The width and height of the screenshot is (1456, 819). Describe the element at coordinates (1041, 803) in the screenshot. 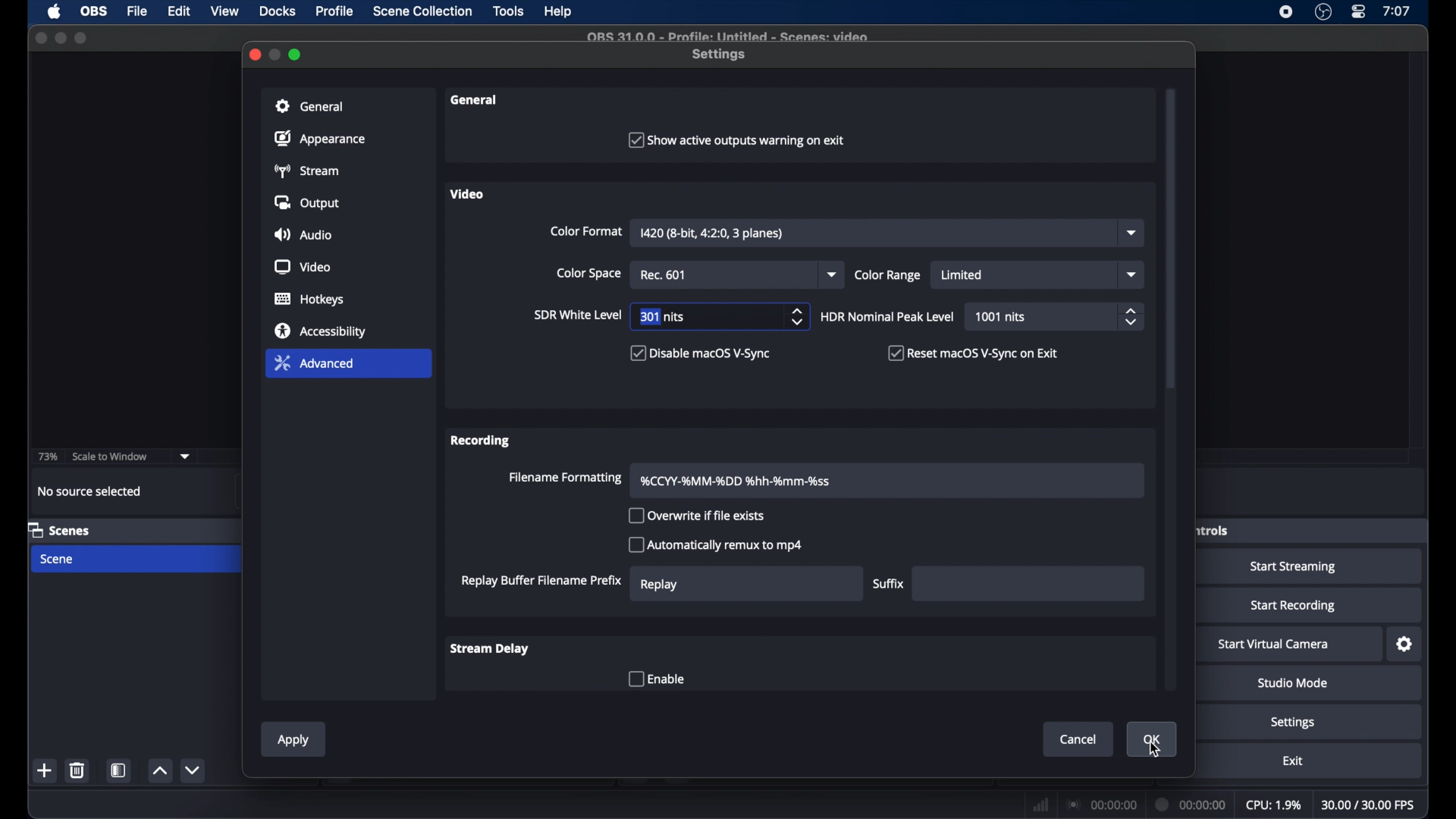

I see `network` at that location.